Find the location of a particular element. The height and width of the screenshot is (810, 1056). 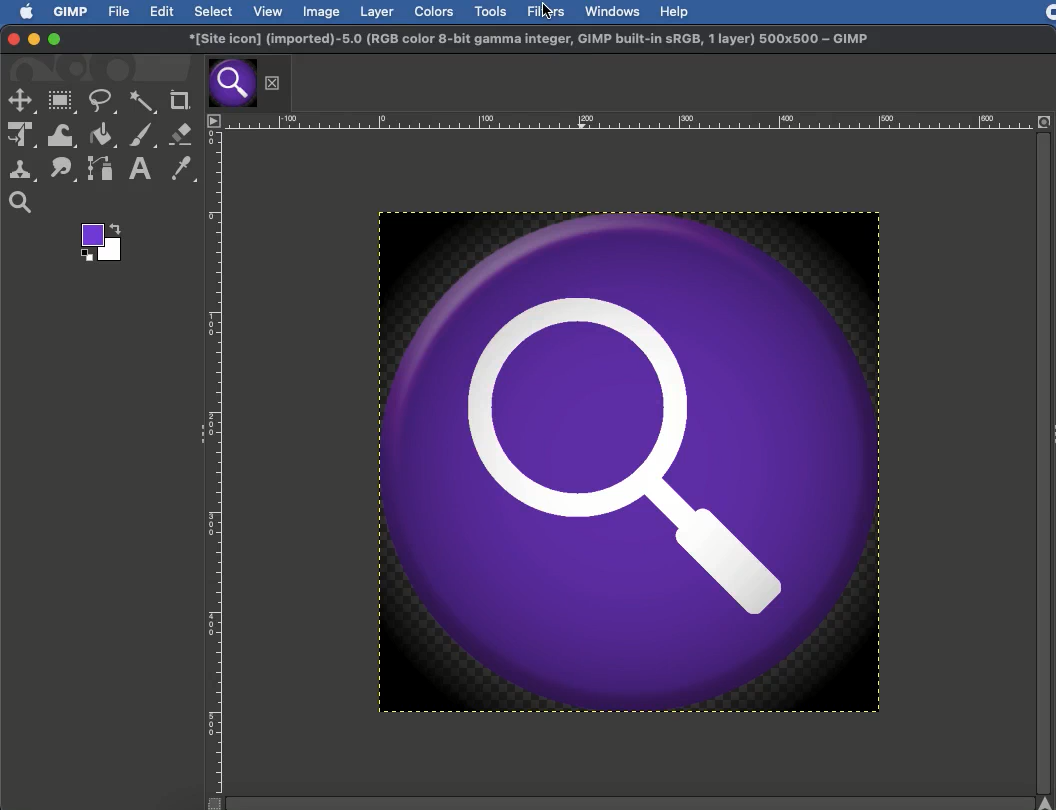

Color picker is located at coordinates (182, 167).